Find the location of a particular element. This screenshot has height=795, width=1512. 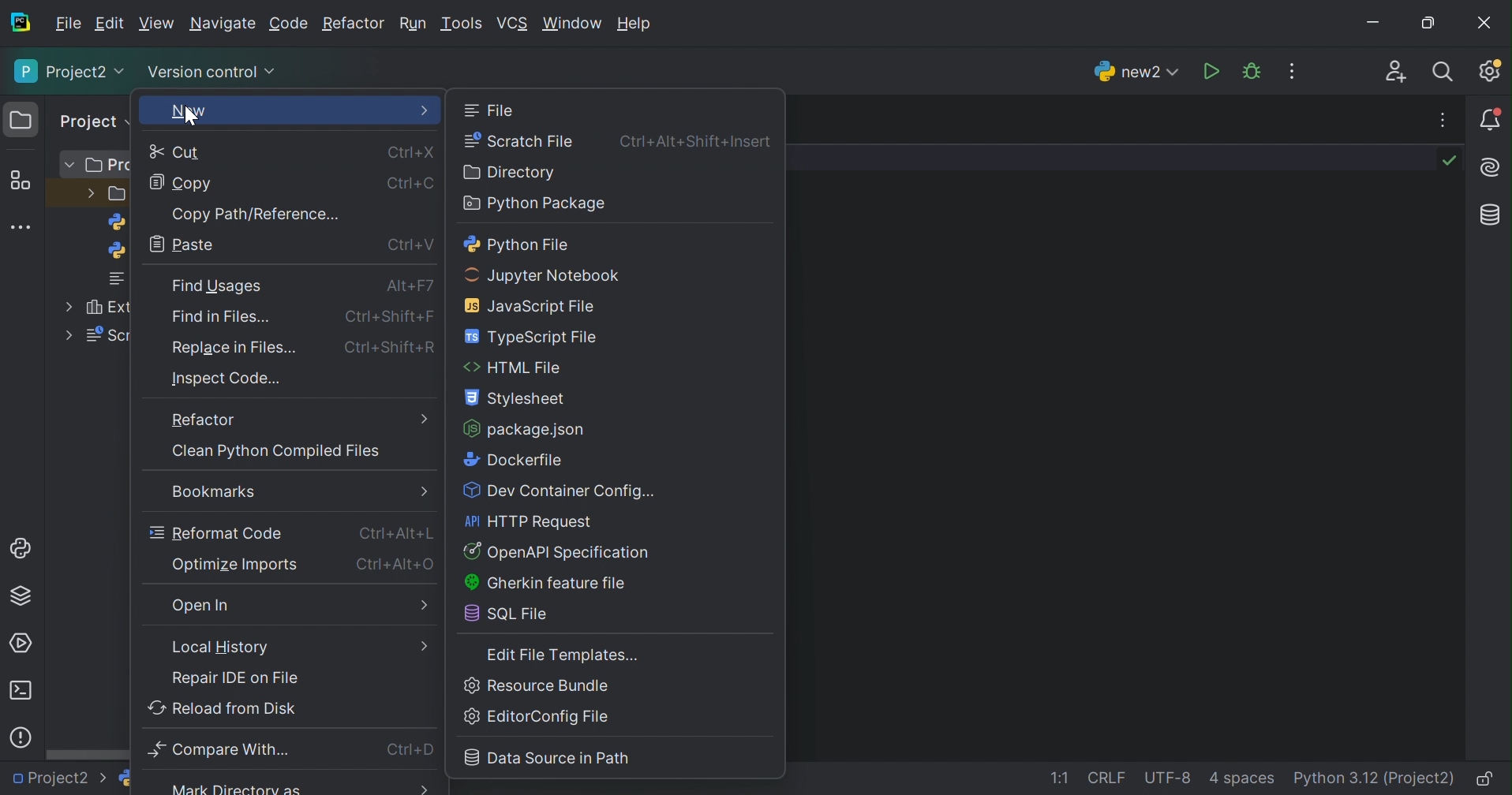

package.json is located at coordinates (524, 429).